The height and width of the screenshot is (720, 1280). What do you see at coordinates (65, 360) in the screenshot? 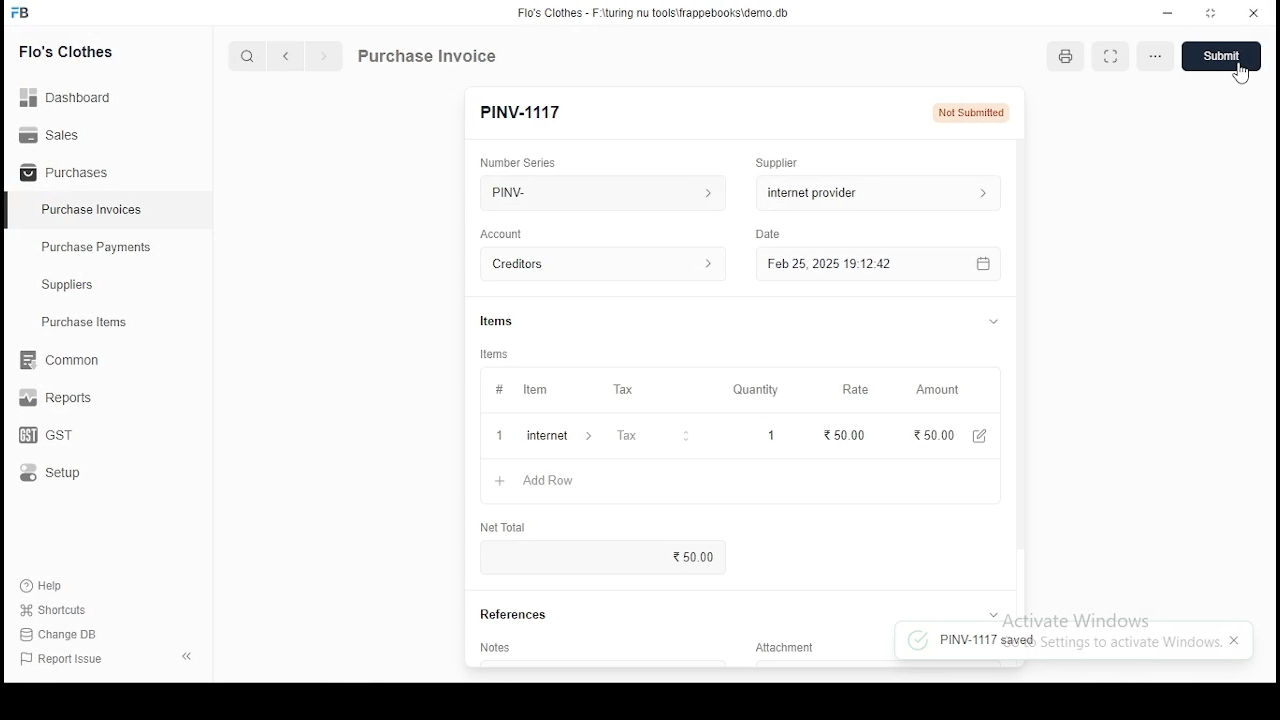
I see `common` at bounding box center [65, 360].